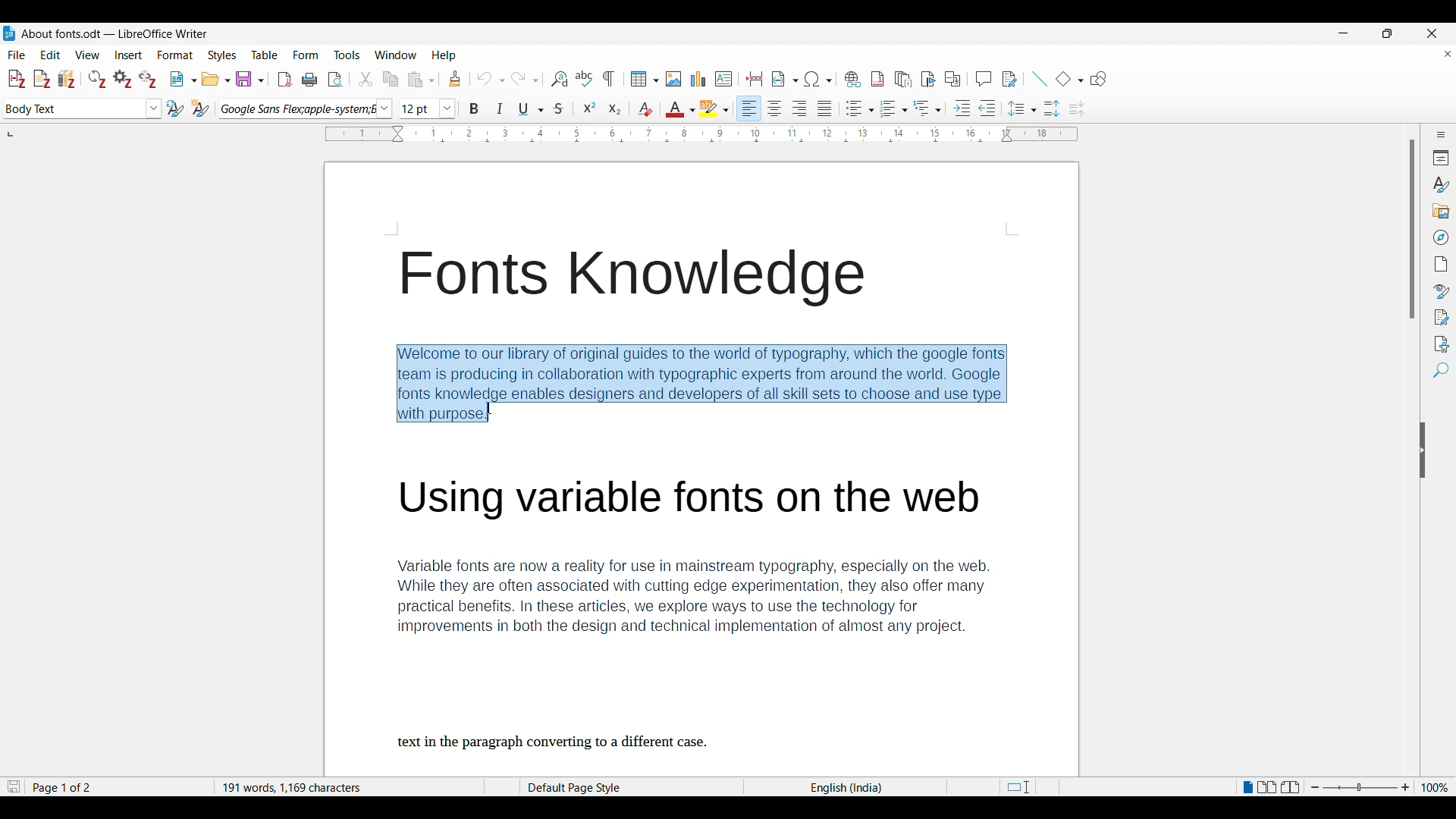 Image resolution: width=1456 pixels, height=819 pixels. What do you see at coordinates (201, 108) in the screenshot?
I see `New style from selection` at bounding box center [201, 108].